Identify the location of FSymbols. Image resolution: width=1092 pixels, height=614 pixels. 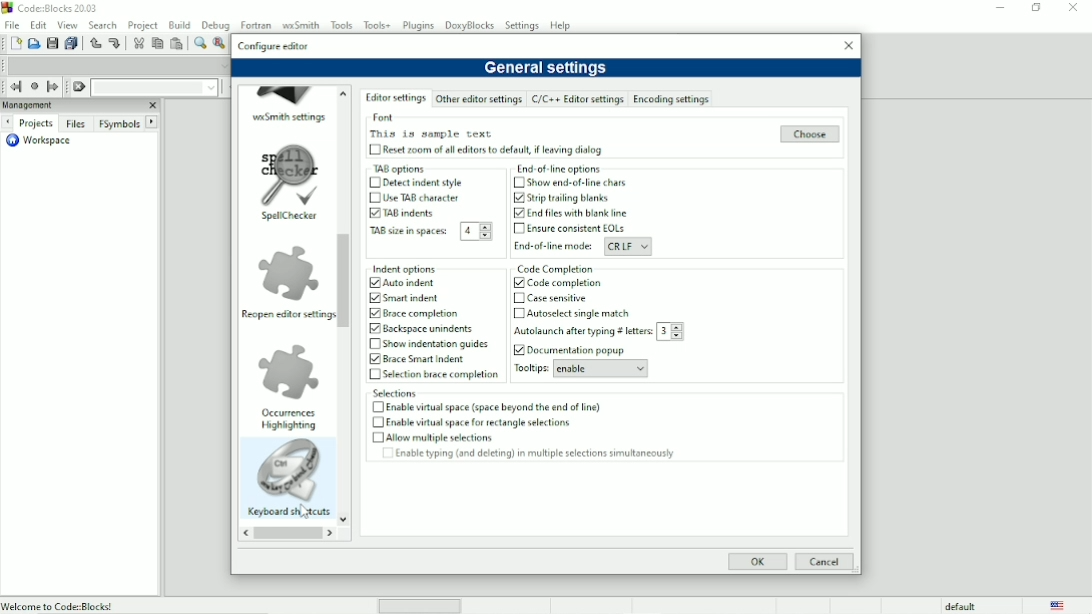
(119, 124).